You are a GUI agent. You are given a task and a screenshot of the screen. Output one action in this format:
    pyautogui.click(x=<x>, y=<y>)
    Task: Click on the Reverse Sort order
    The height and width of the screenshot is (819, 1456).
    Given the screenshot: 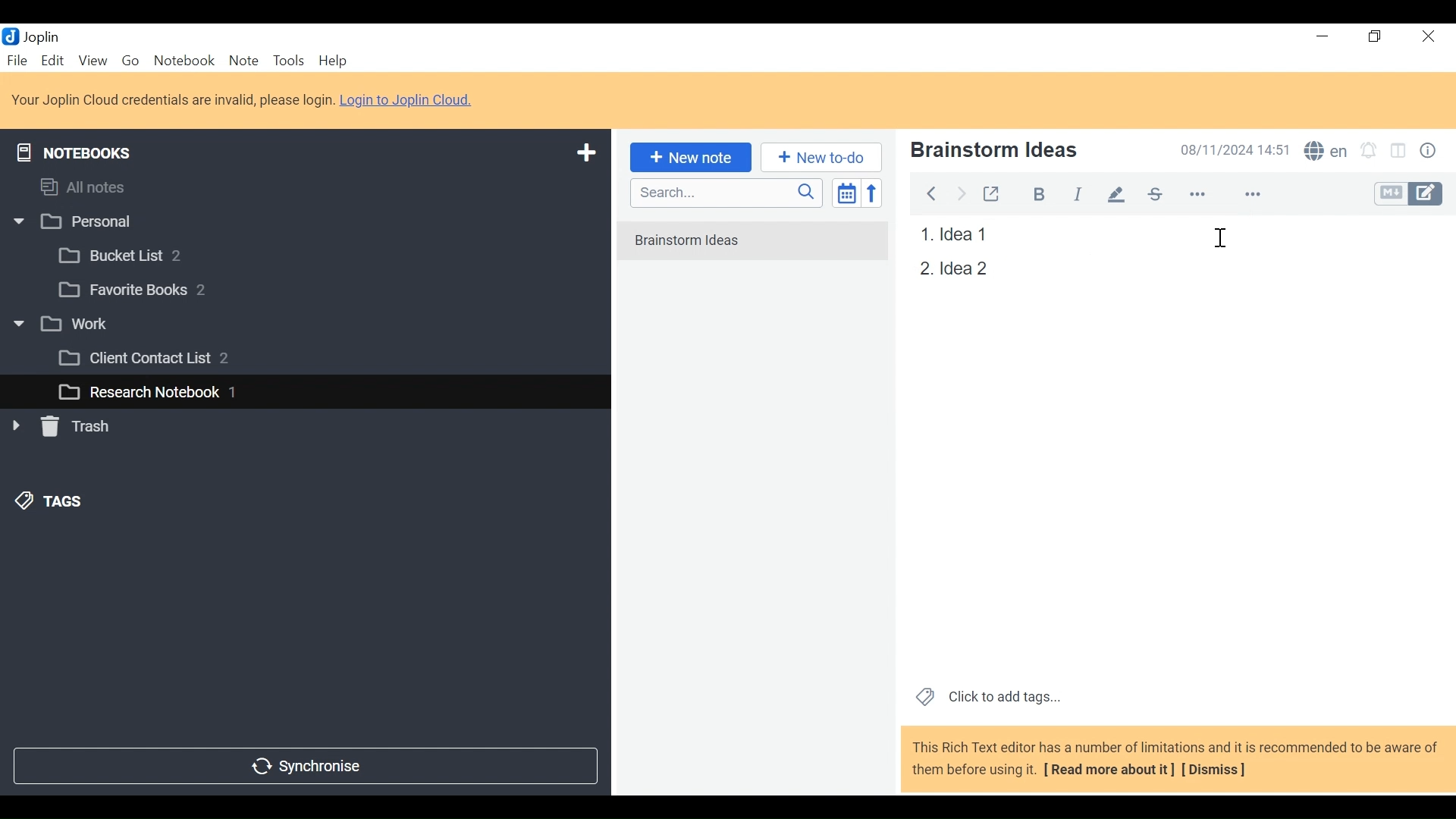 What is the action you would take?
    pyautogui.click(x=875, y=193)
    